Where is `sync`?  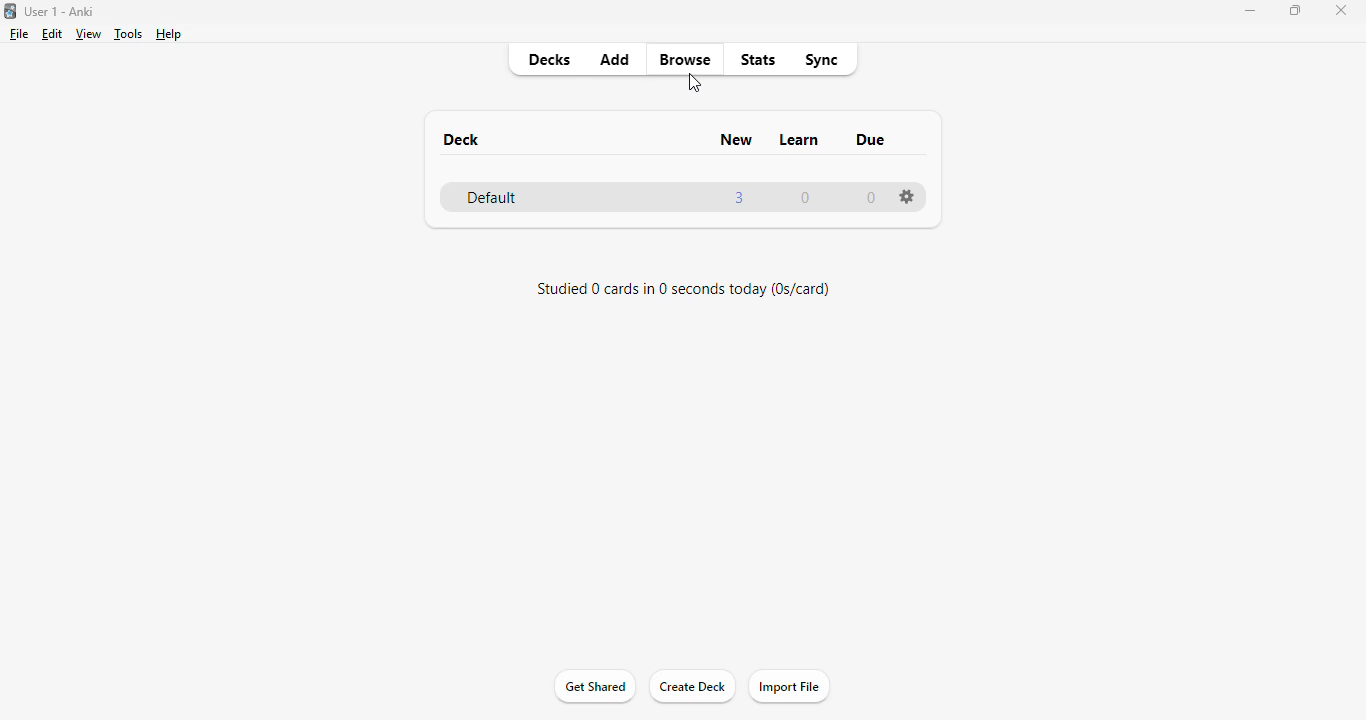 sync is located at coordinates (820, 62).